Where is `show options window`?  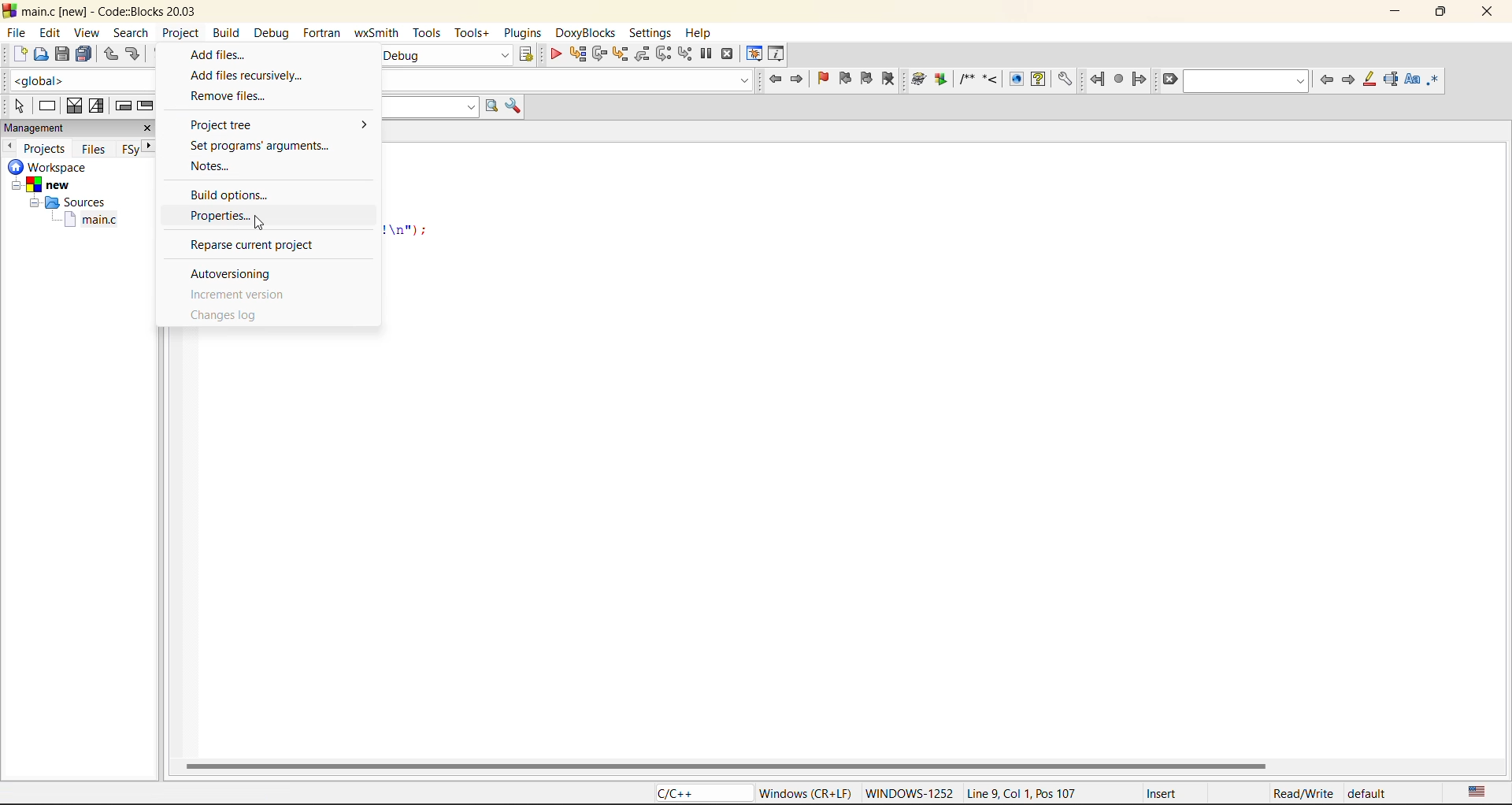
show options window is located at coordinates (516, 106).